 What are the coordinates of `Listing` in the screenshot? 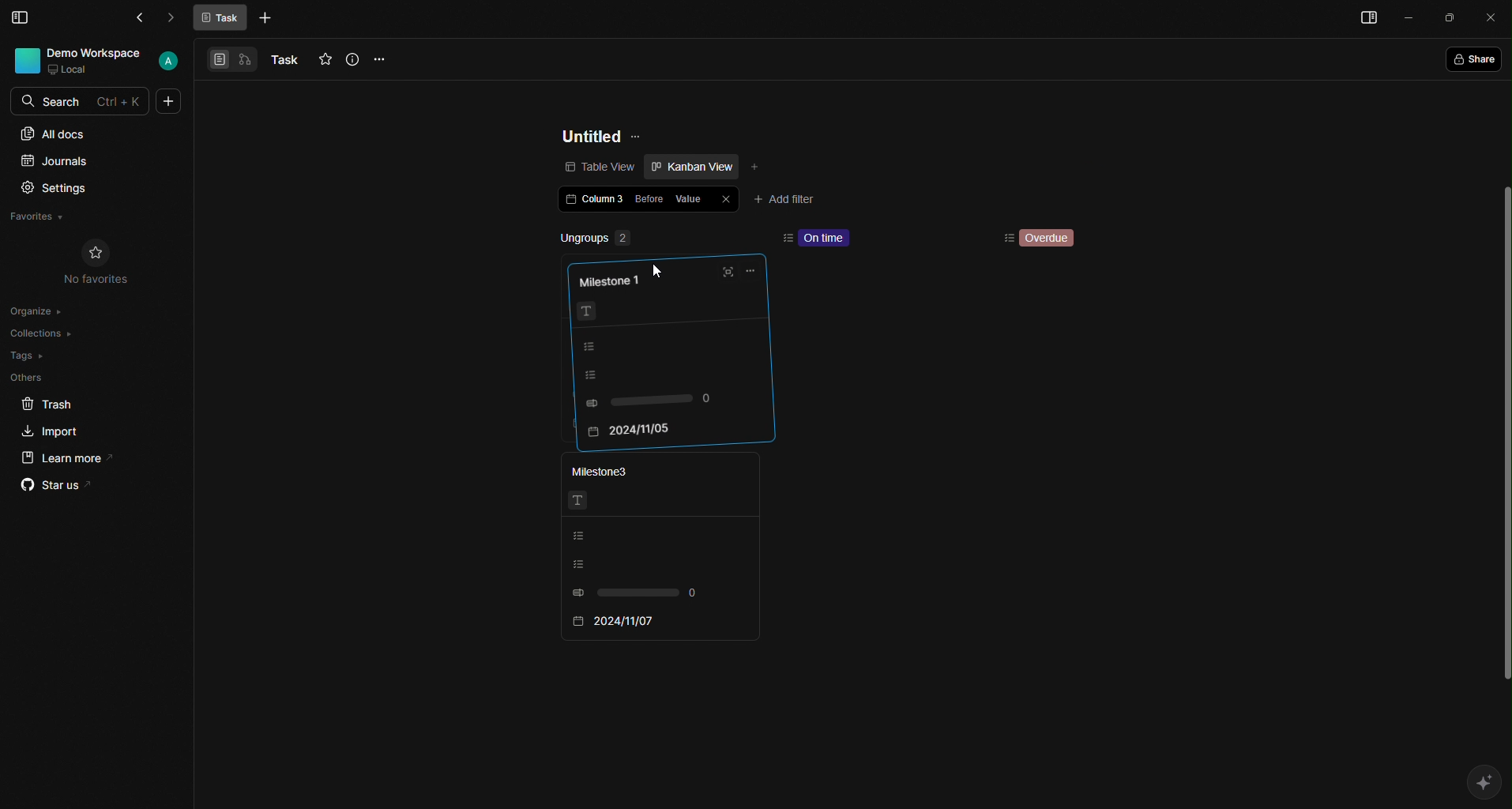 It's located at (624, 564).